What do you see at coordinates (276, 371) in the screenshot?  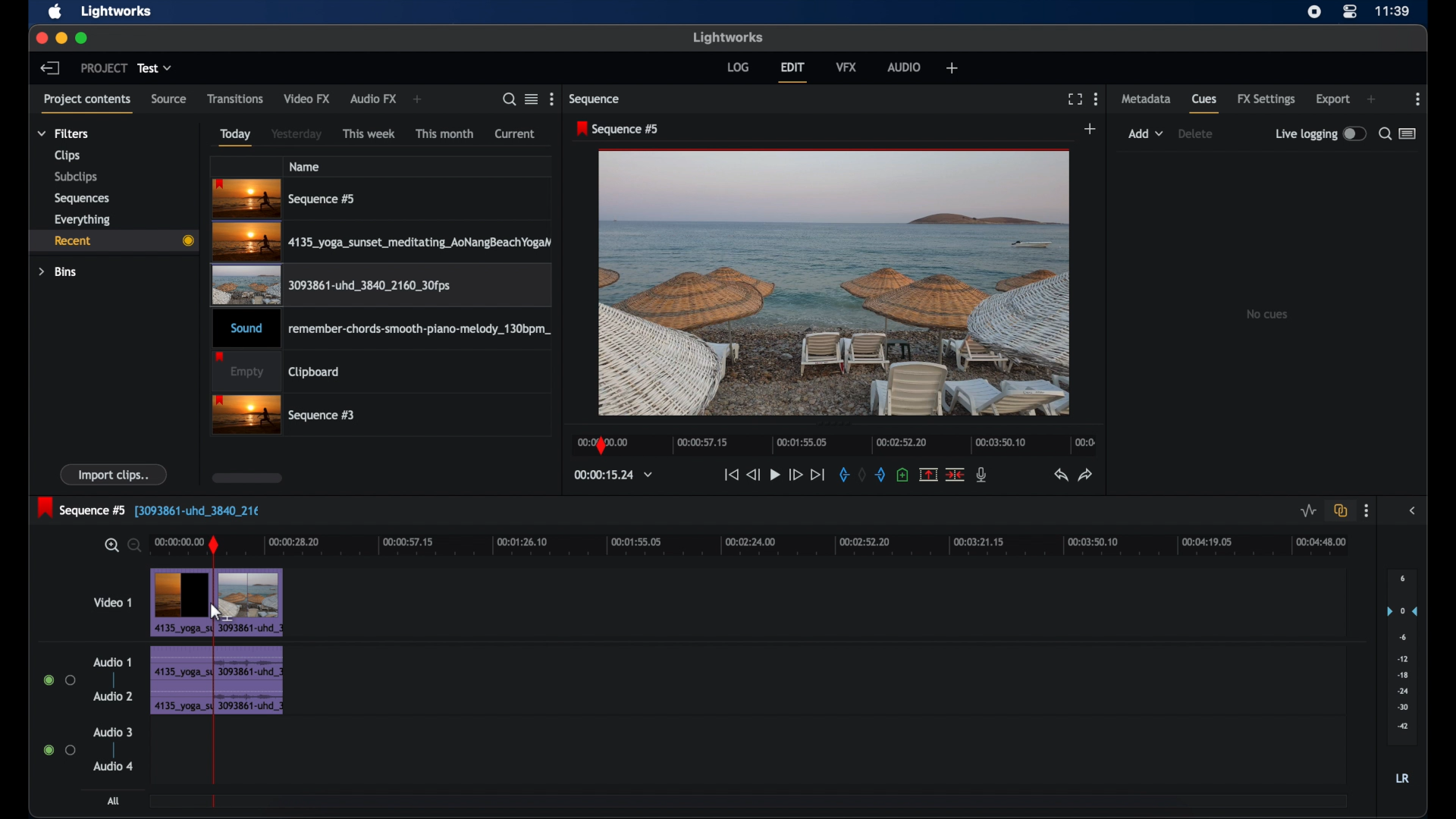 I see `clipboard` at bounding box center [276, 371].